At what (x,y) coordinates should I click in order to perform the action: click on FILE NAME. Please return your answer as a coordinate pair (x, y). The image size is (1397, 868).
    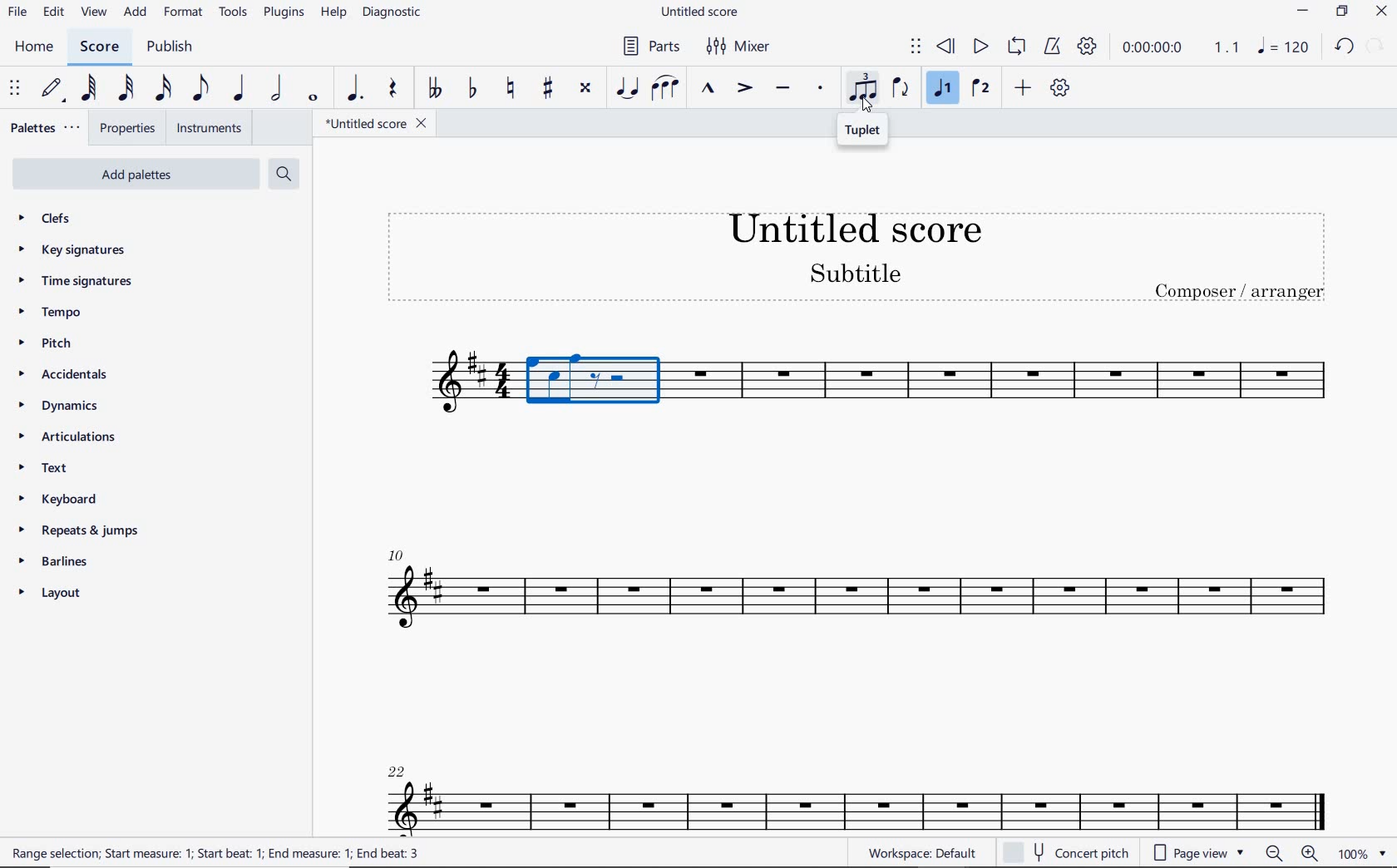
    Looking at the image, I should click on (371, 123).